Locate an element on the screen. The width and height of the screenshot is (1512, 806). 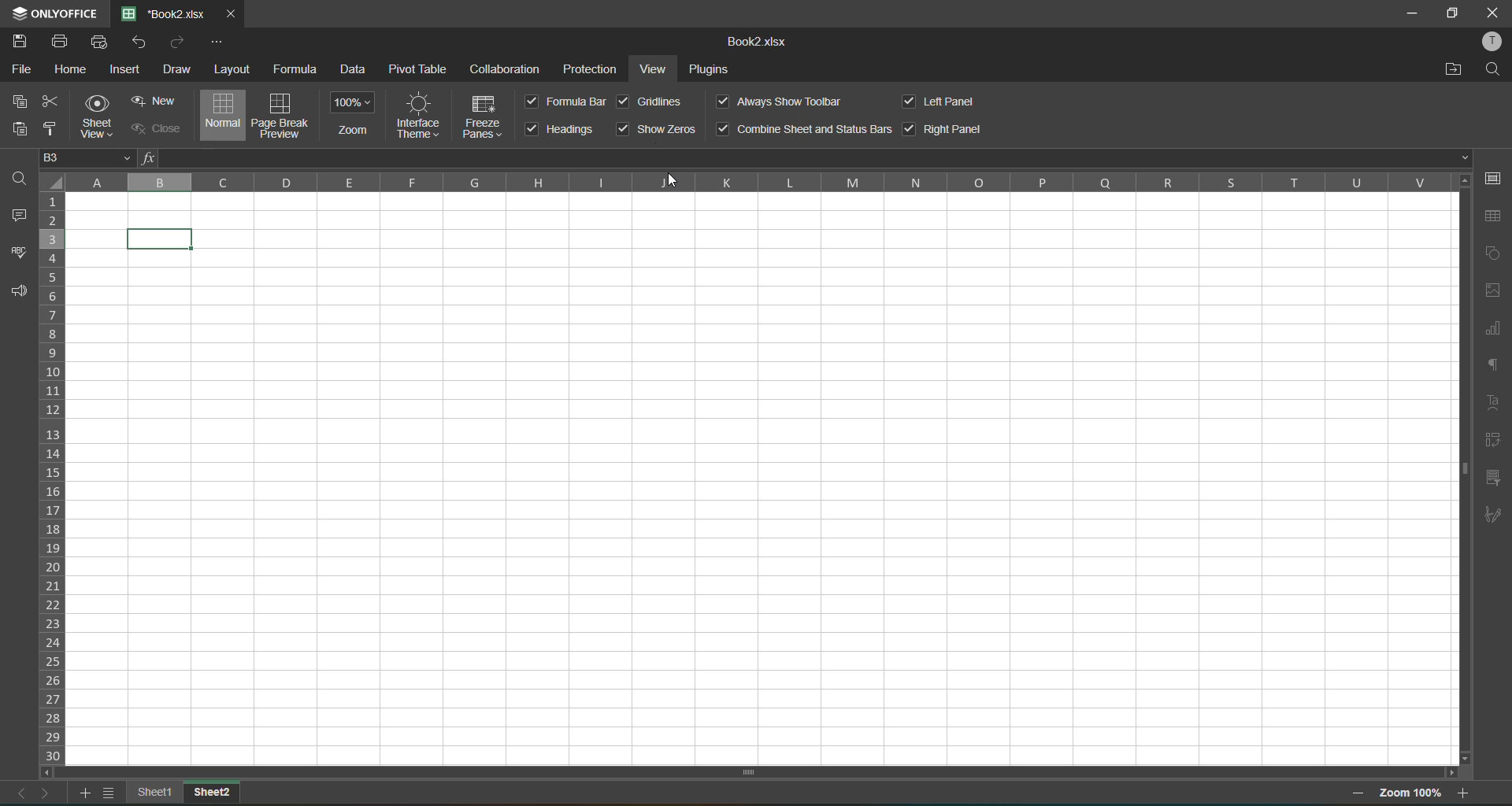
undo is located at coordinates (143, 41).